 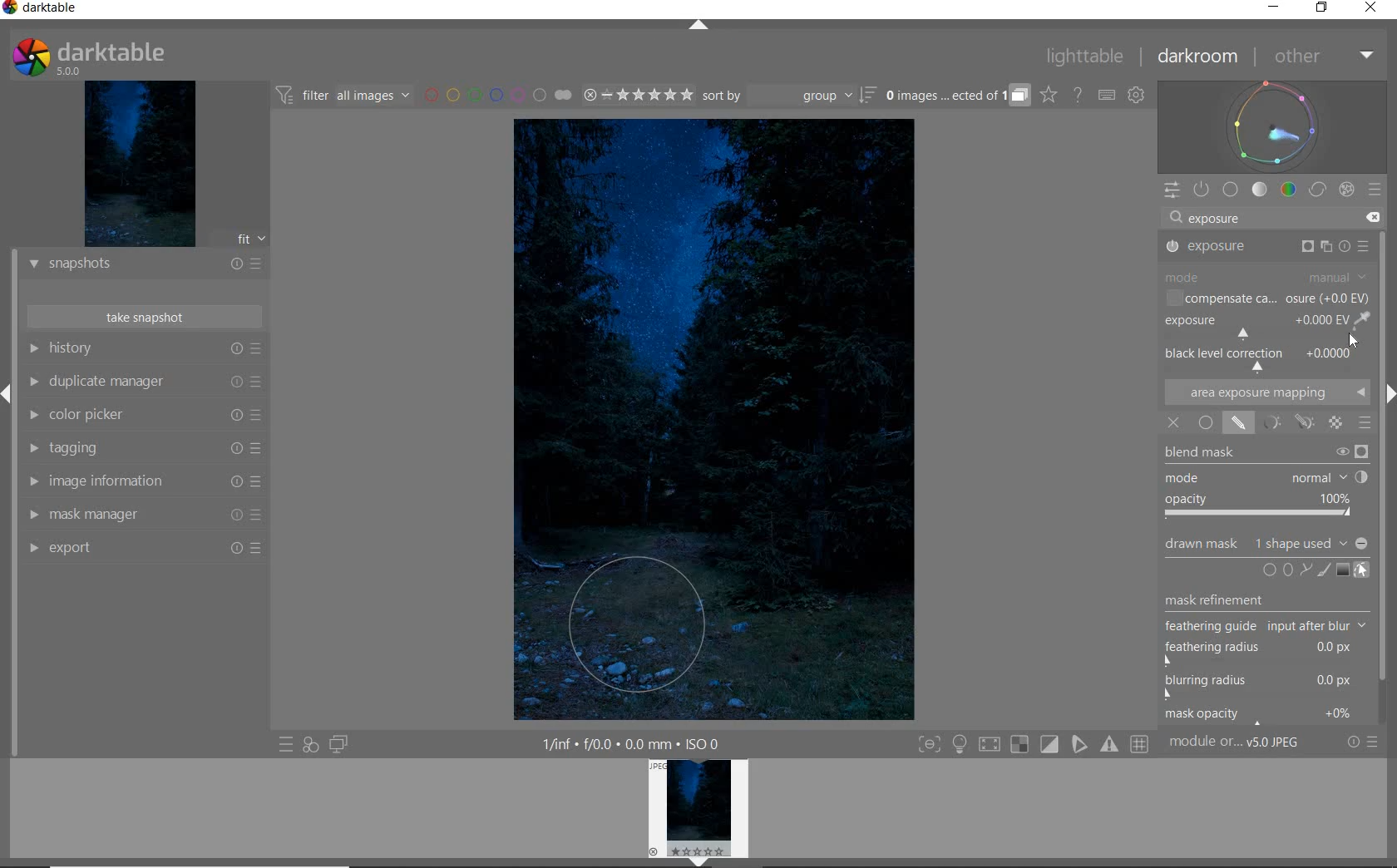 I want to click on DRAWN MASK, so click(x=1264, y=544).